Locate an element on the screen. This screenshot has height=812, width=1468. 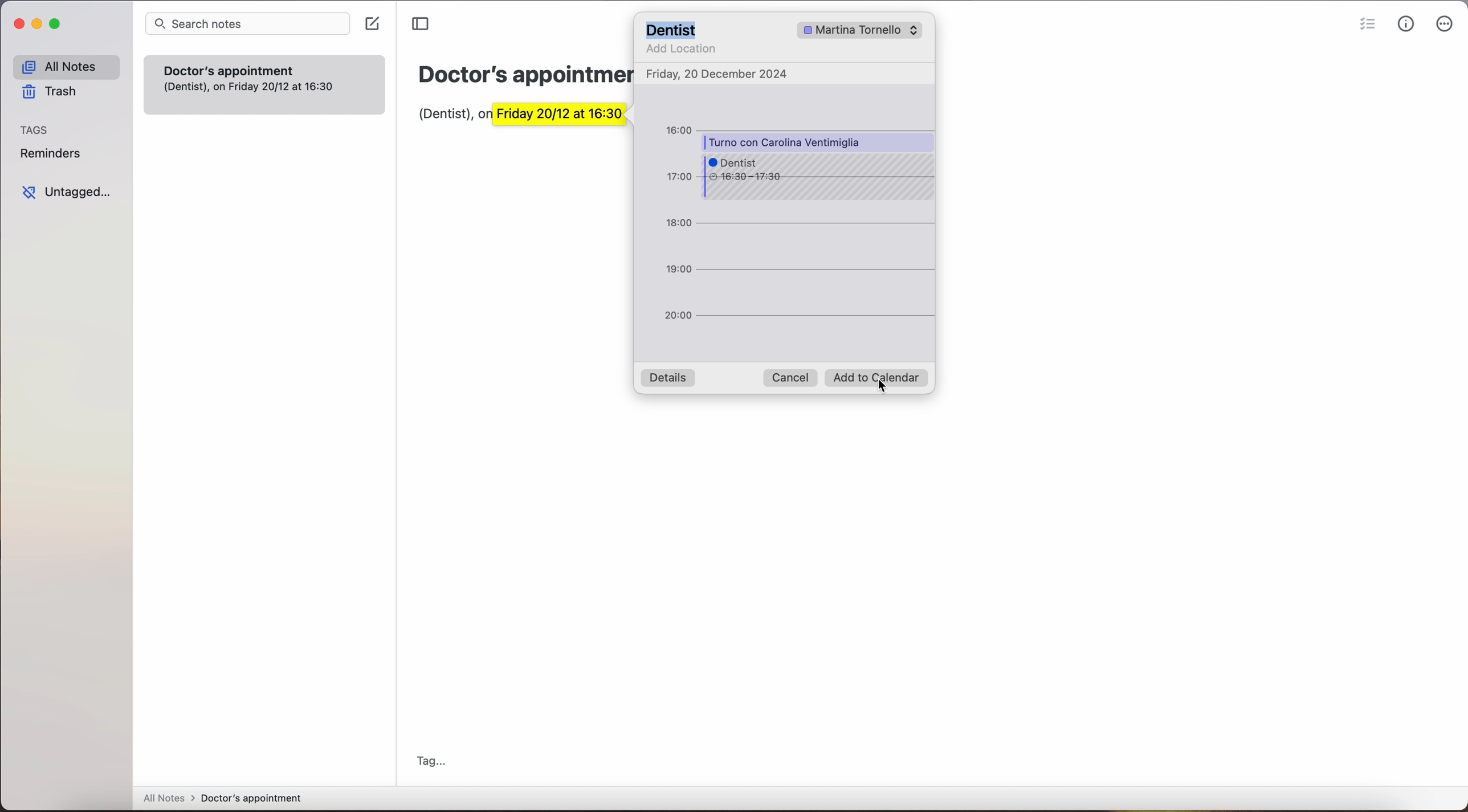
obscure heading is located at coordinates (525, 75).